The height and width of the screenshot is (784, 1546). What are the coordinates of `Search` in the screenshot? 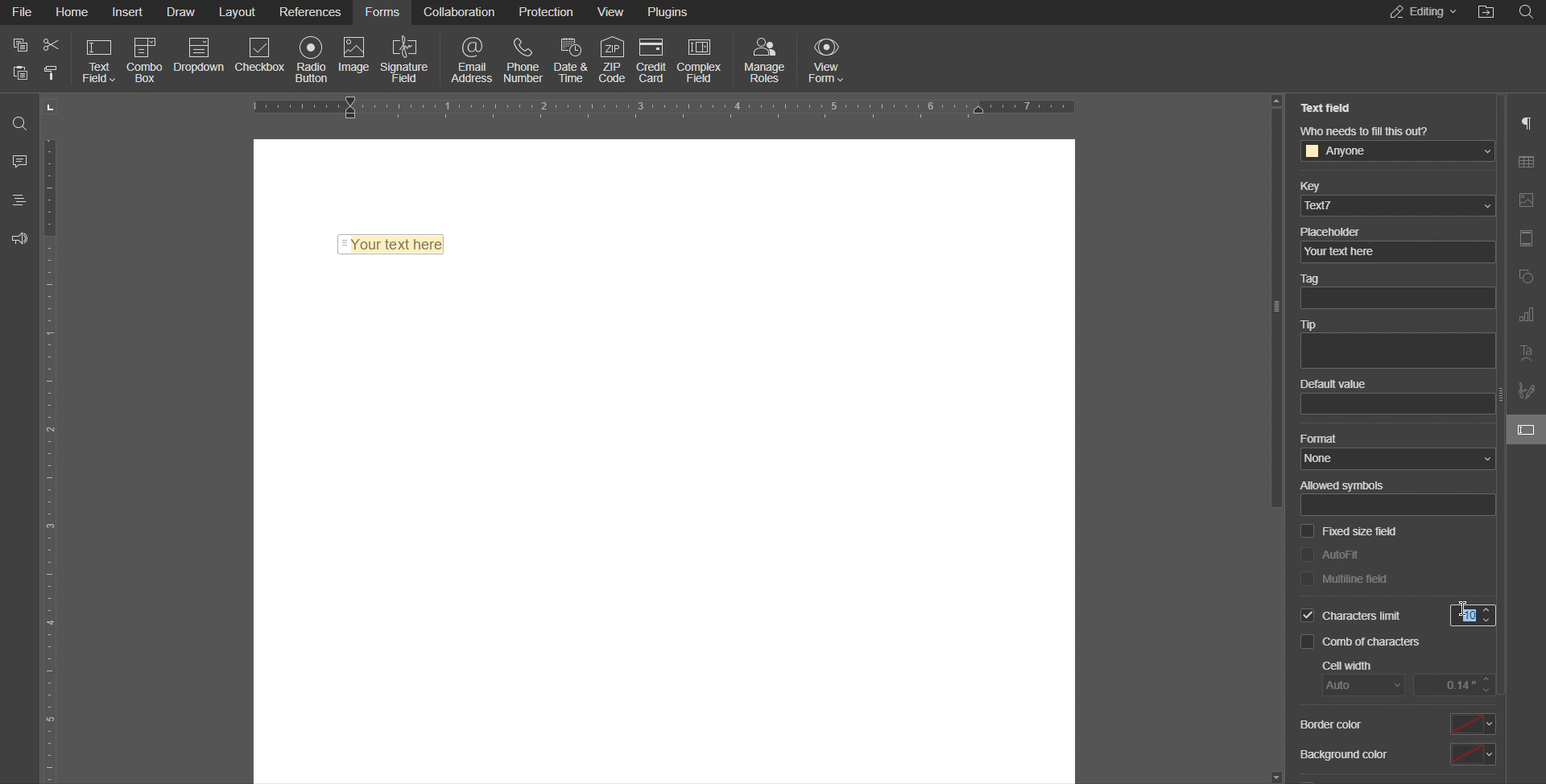 It's located at (1530, 12).